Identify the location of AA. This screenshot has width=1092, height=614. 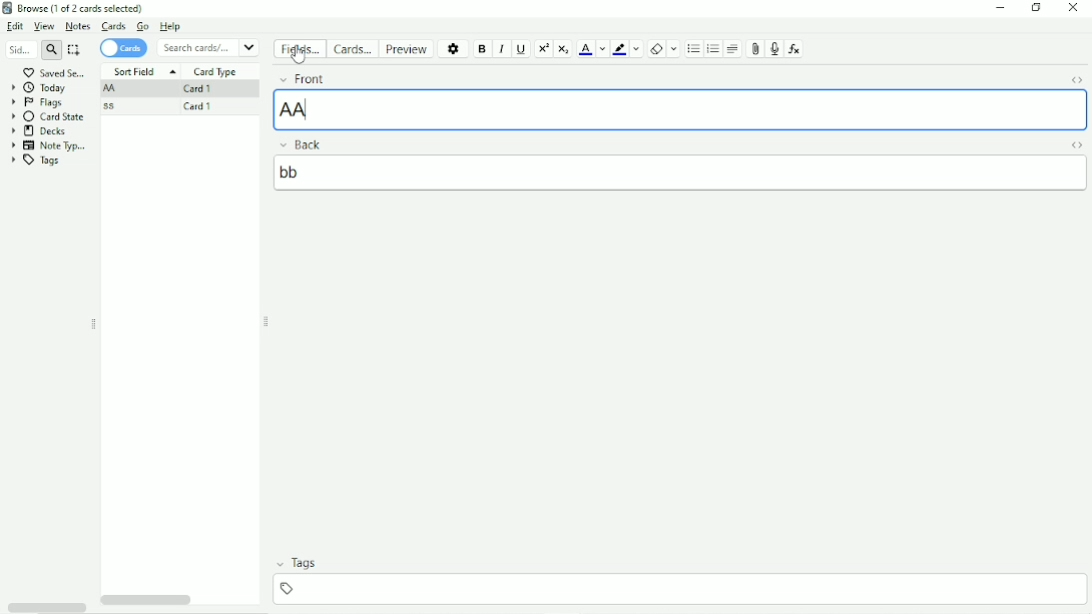
(680, 109).